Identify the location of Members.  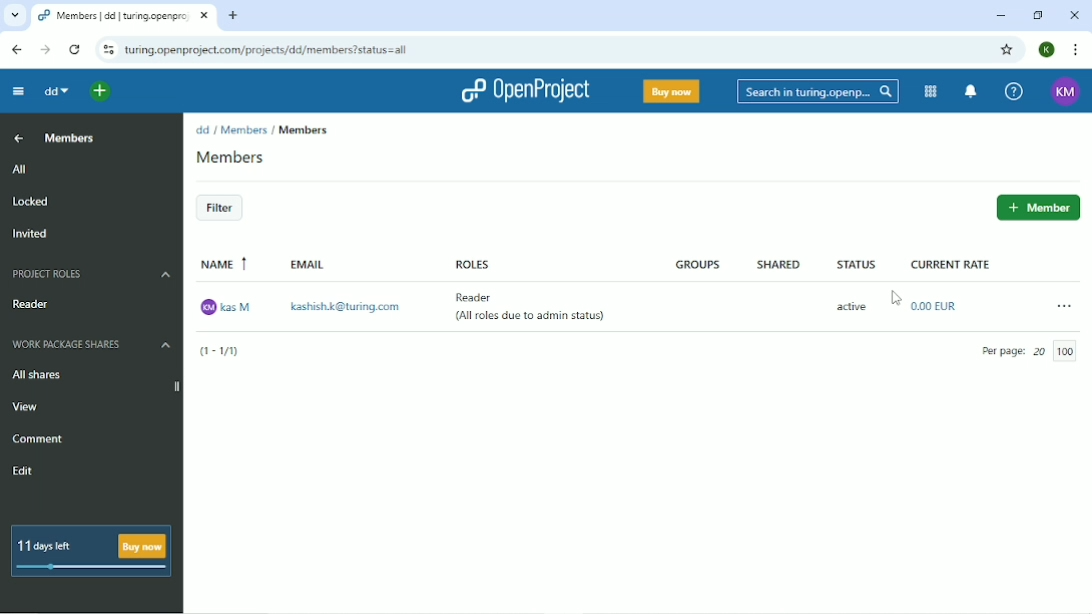
(244, 129).